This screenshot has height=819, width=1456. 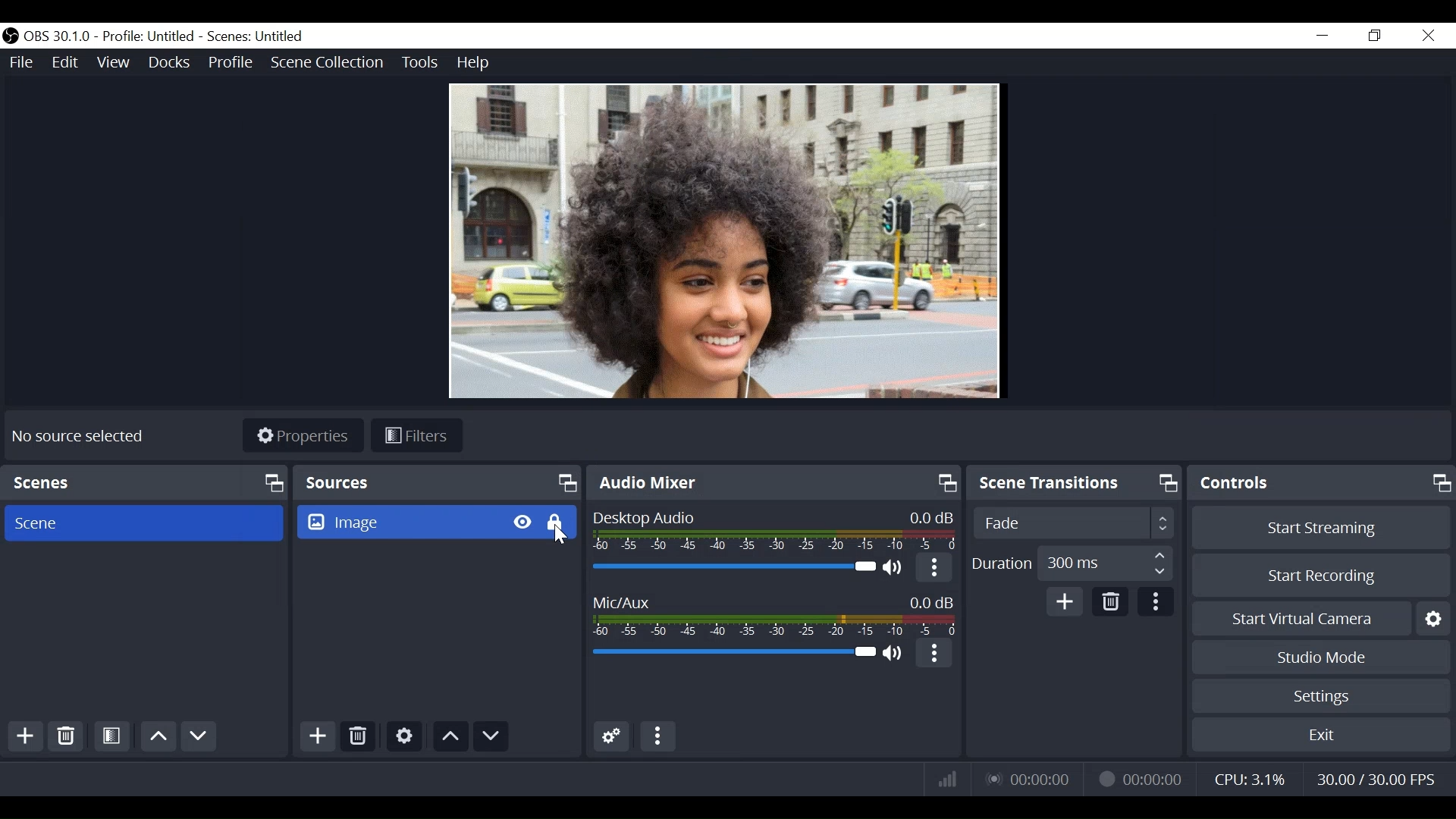 I want to click on Sources, so click(x=436, y=482).